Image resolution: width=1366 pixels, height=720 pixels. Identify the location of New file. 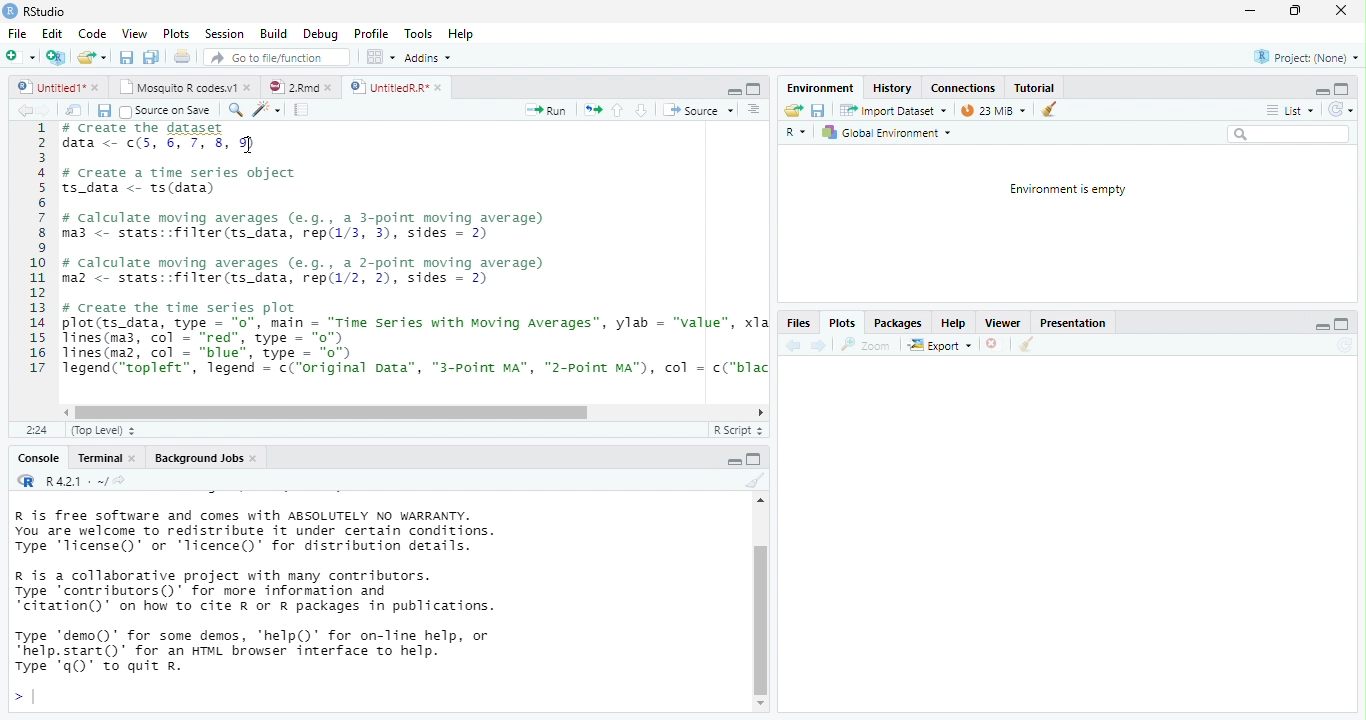
(19, 57).